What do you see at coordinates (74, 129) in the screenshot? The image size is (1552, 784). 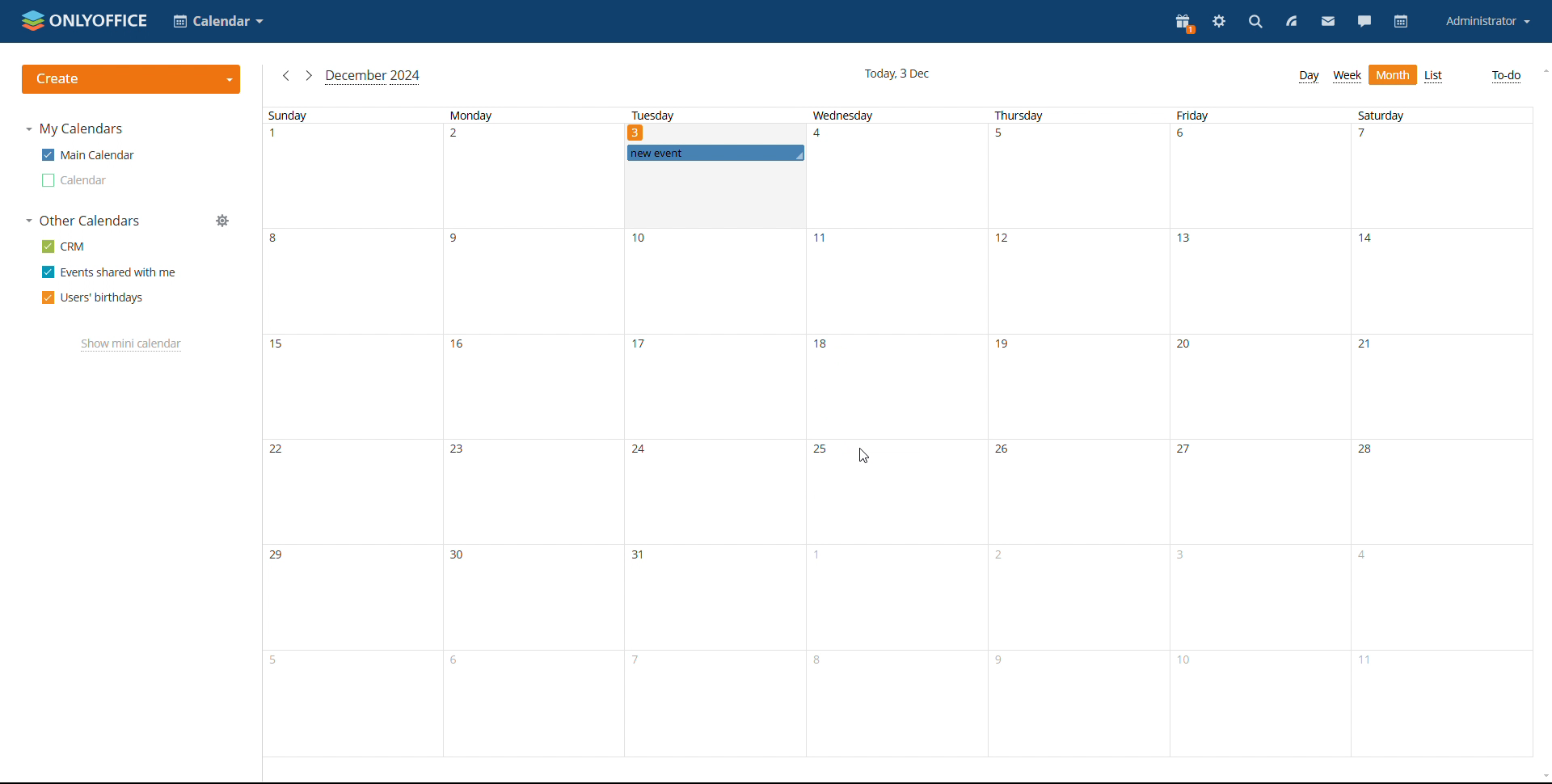 I see `my calendars` at bounding box center [74, 129].